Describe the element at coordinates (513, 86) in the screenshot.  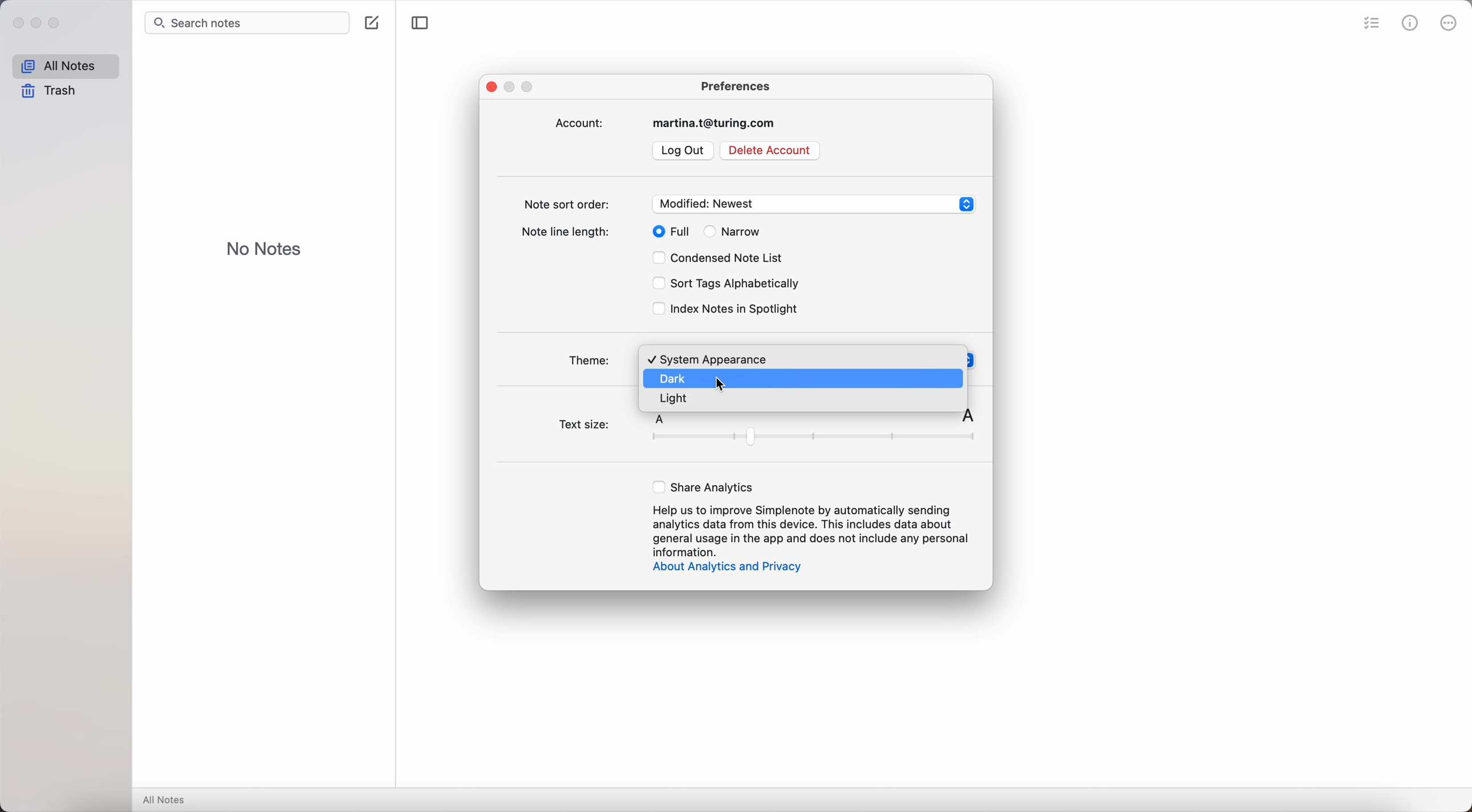
I see `minimize Simplenote` at that location.